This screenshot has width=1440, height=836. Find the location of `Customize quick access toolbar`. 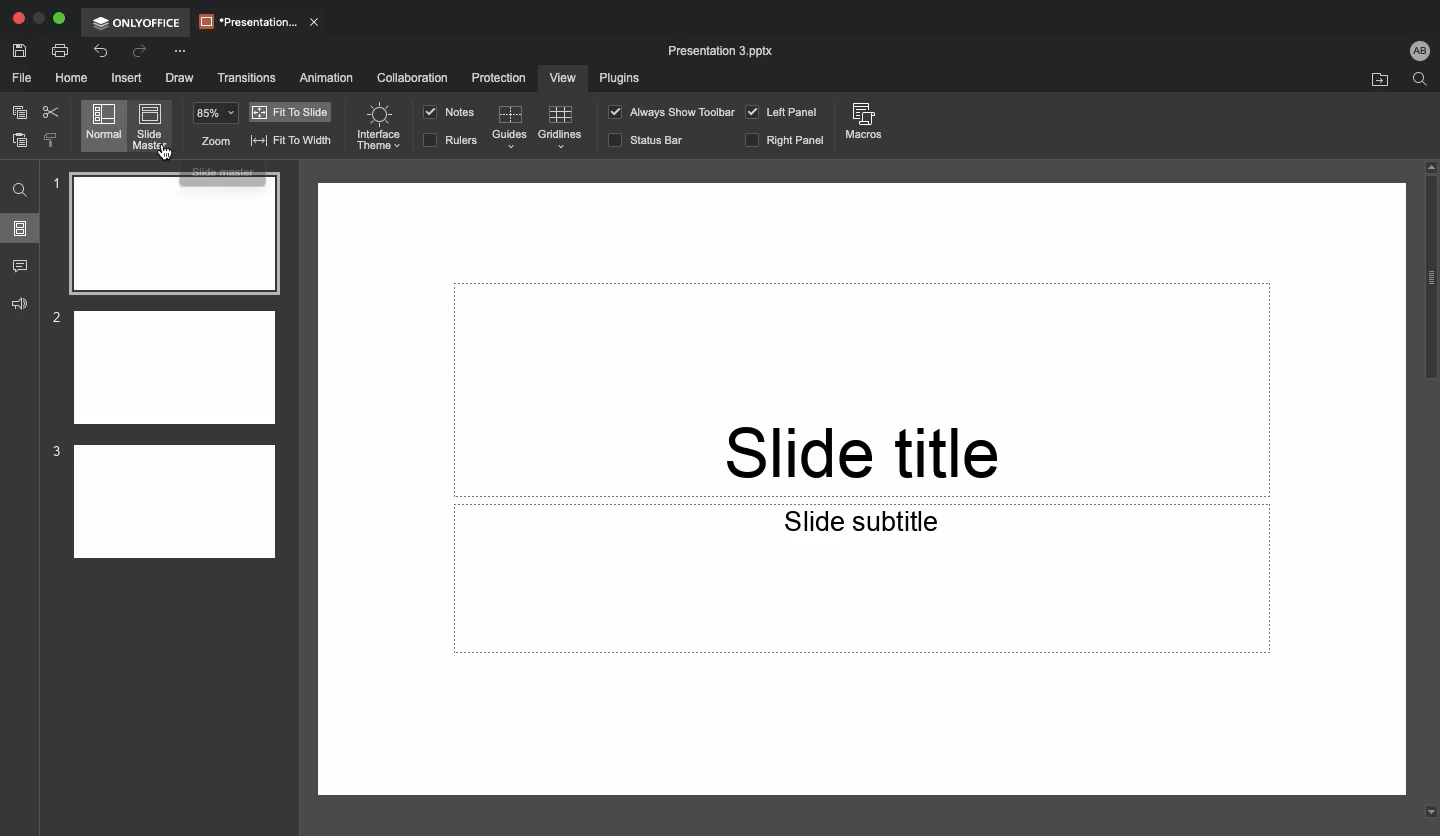

Customize quick access toolbar is located at coordinates (179, 52).